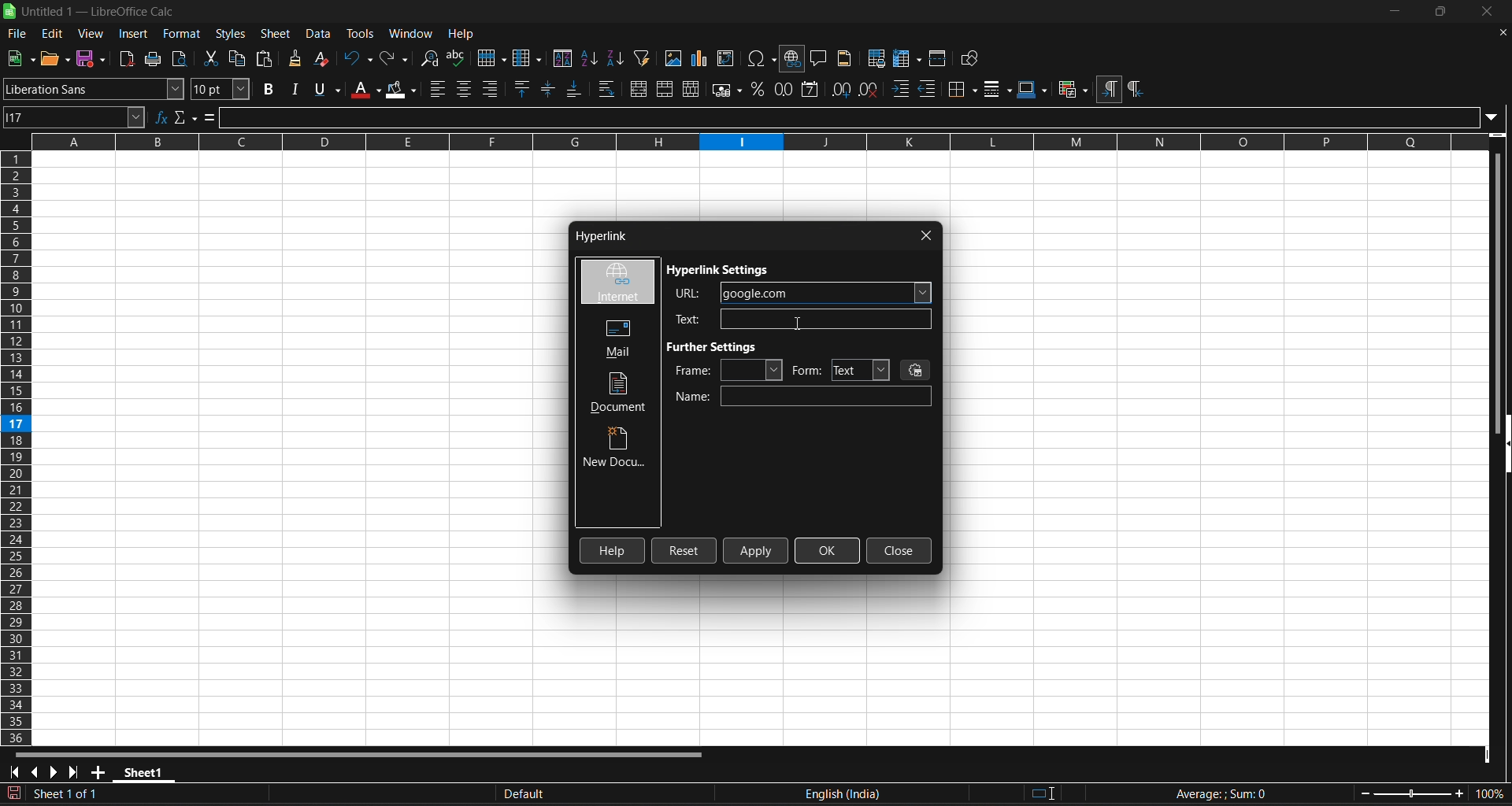 The width and height of the screenshot is (1512, 806). What do you see at coordinates (901, 91) in the screenshot?
I see `increase indent` at bounding box center [901, 91].